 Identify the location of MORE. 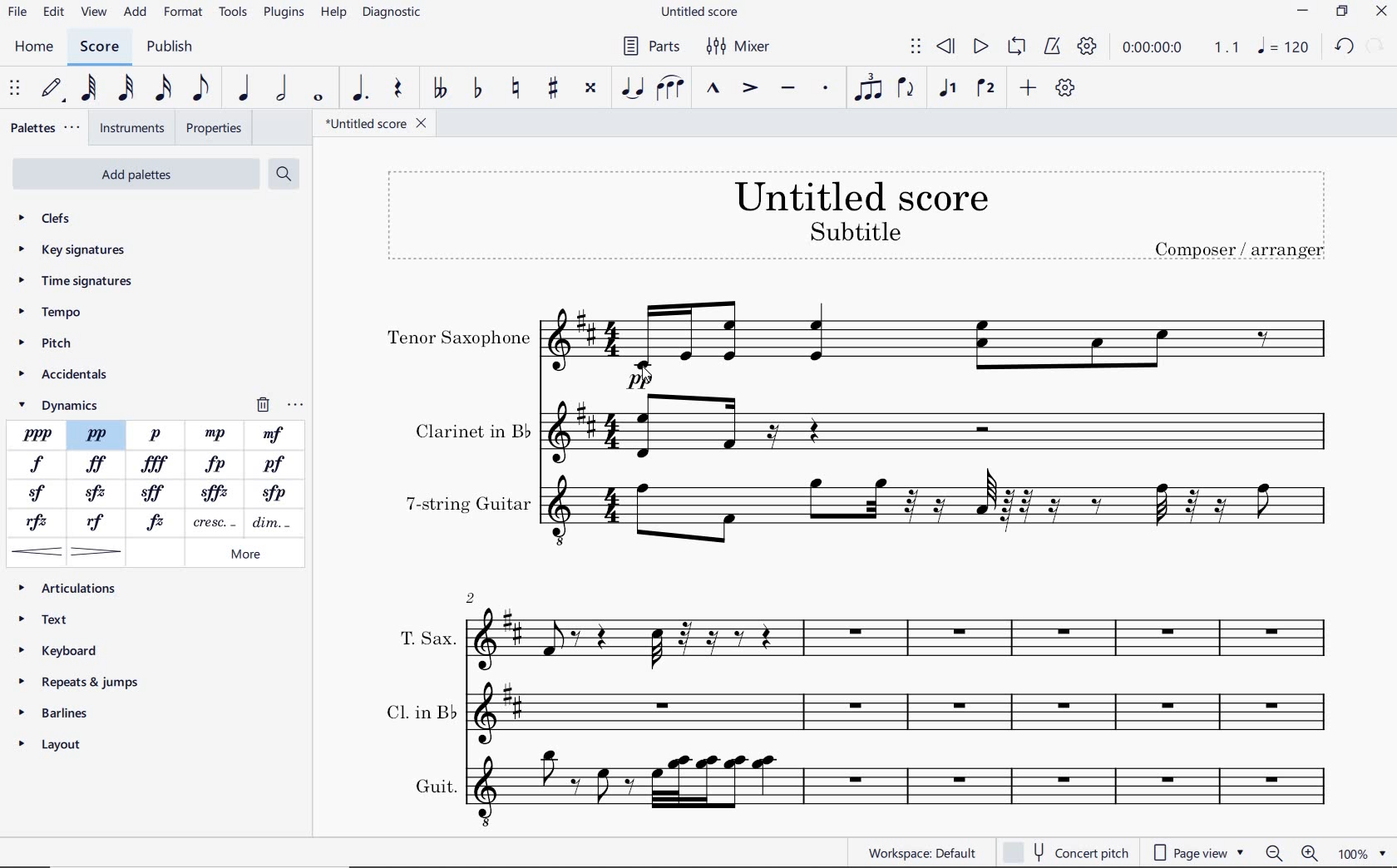
(243, 555).